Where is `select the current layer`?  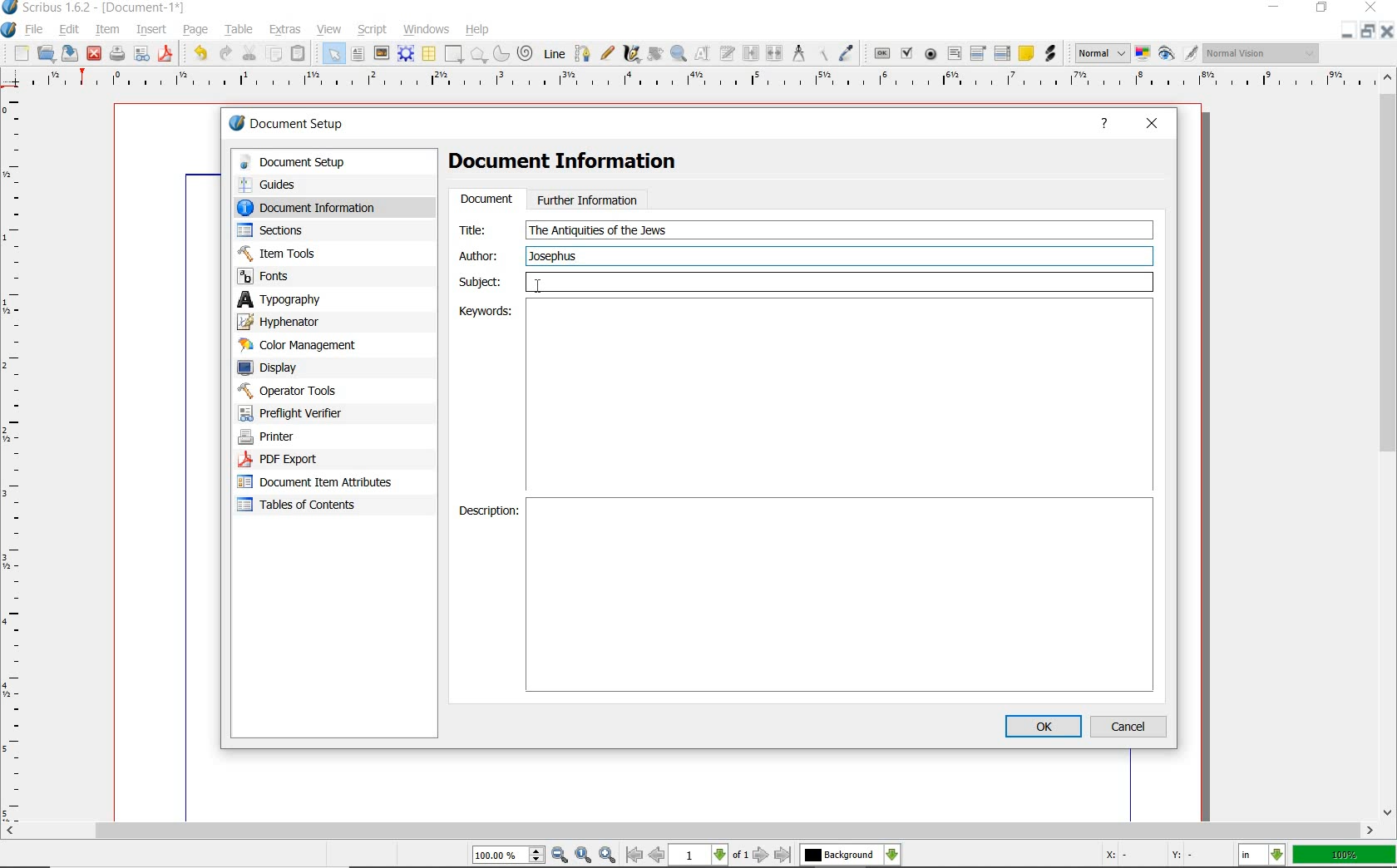 select the current layer is located at coordinates (851, 855).